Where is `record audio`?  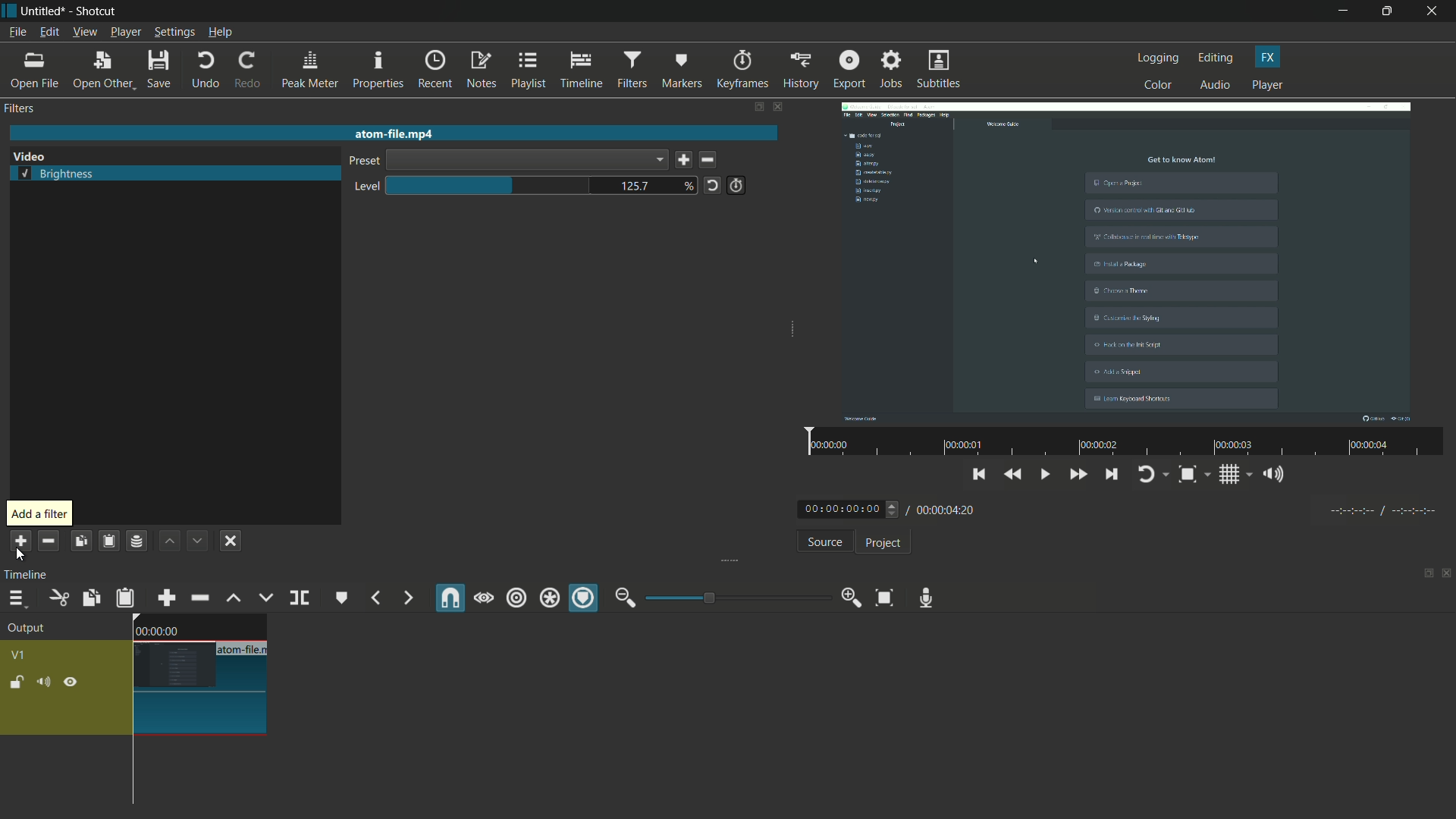 record audio is located at coordinates (922, 598).